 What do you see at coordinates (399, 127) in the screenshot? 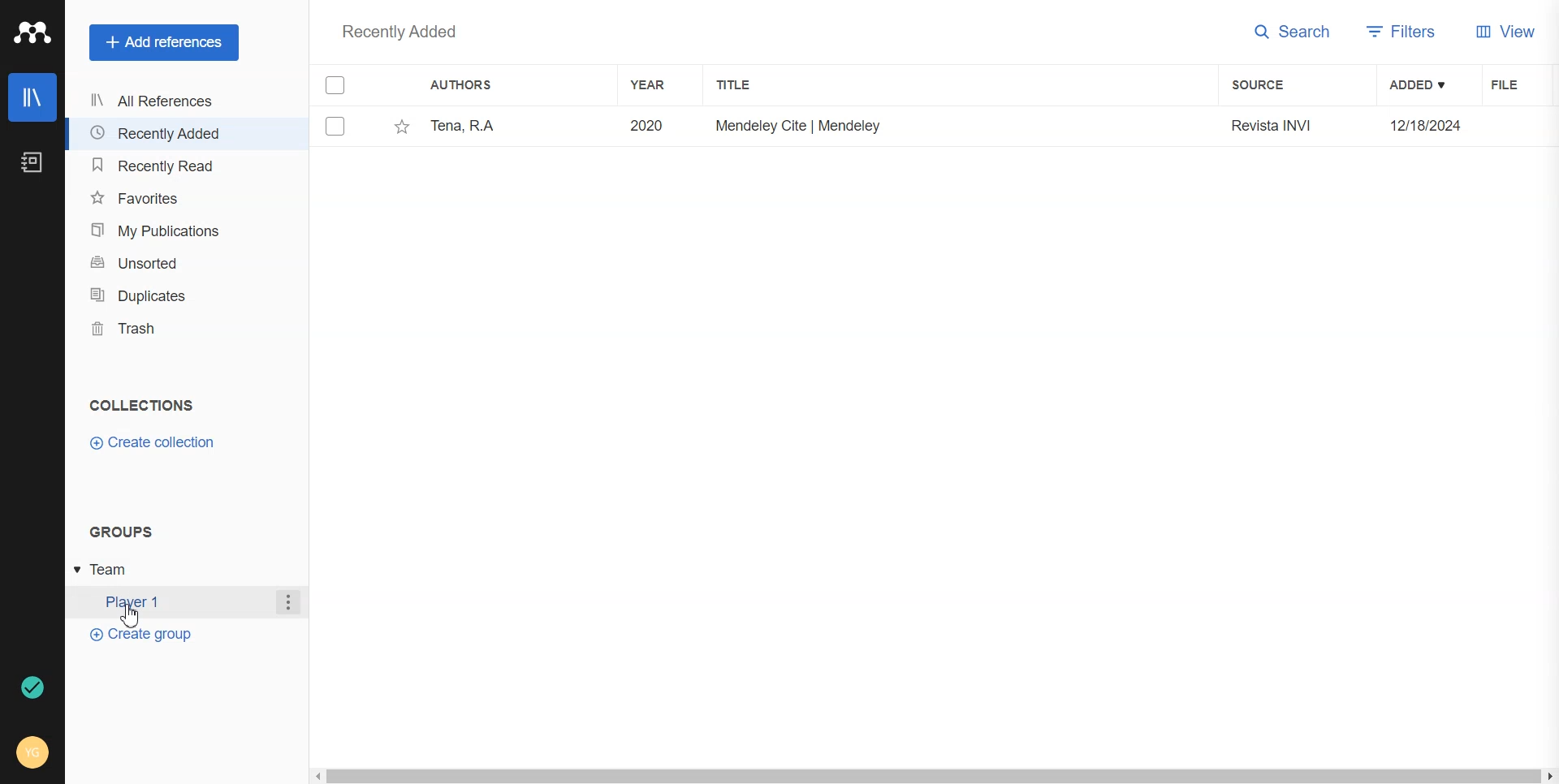
I see `mark star` at bounding box center [399, 127].